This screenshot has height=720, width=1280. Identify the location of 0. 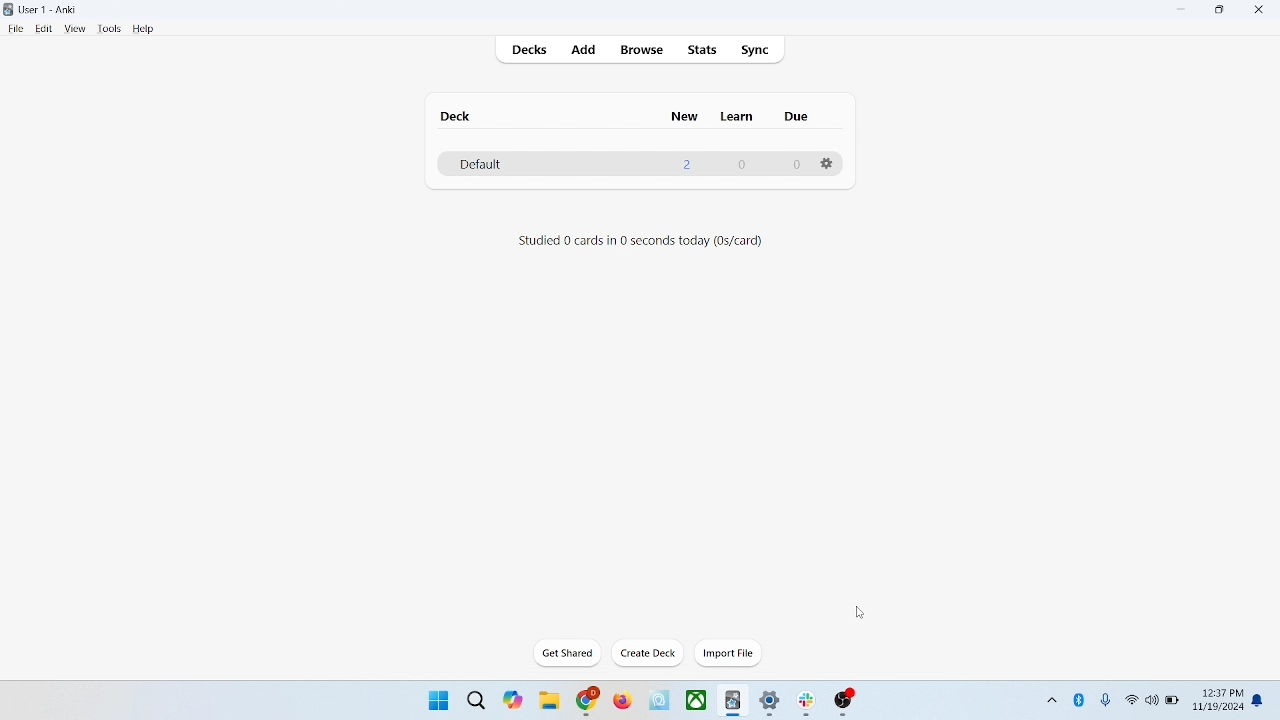
(796, 165).